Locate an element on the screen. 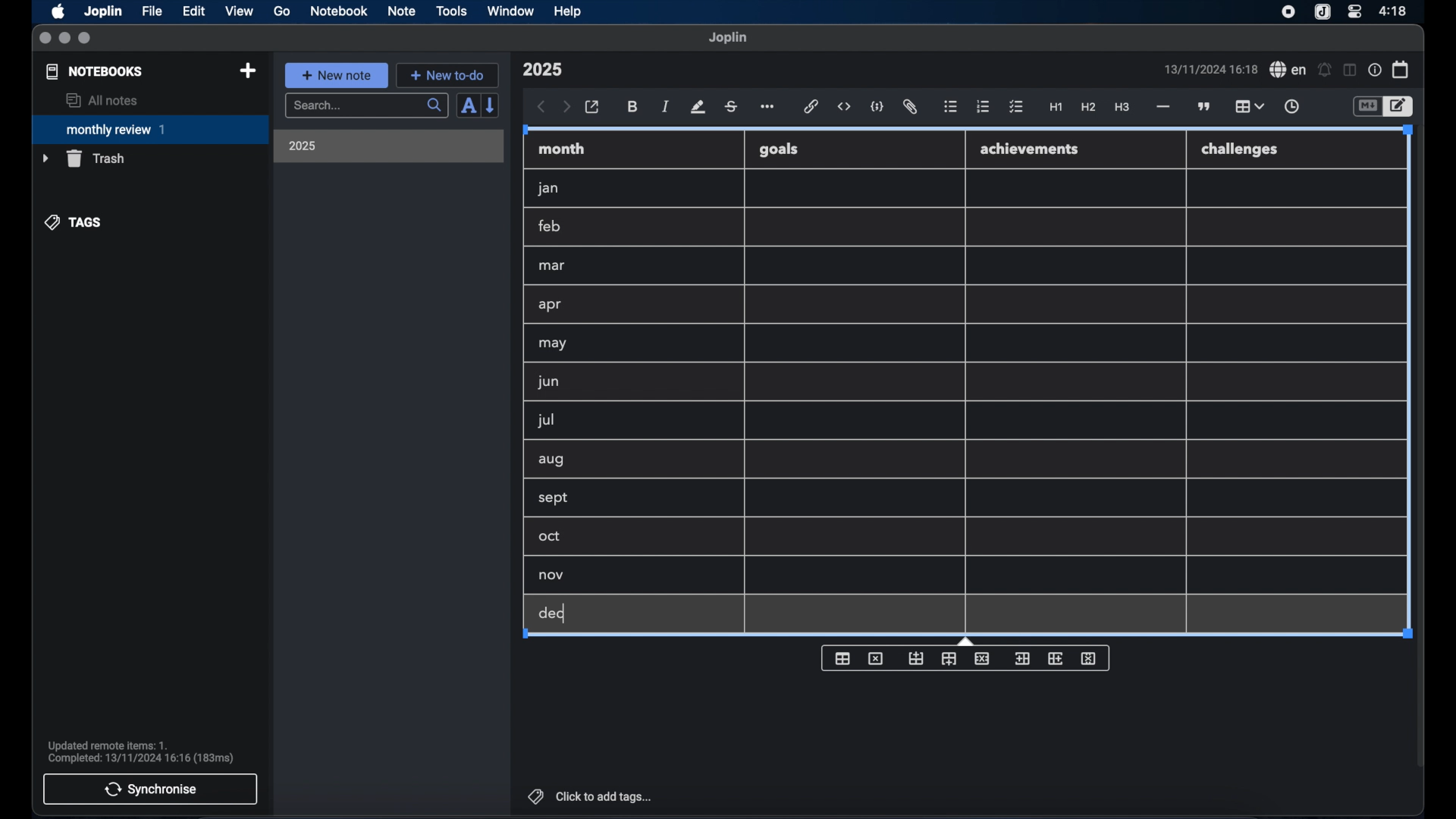  notebooks is located at coordinates (95, 71).